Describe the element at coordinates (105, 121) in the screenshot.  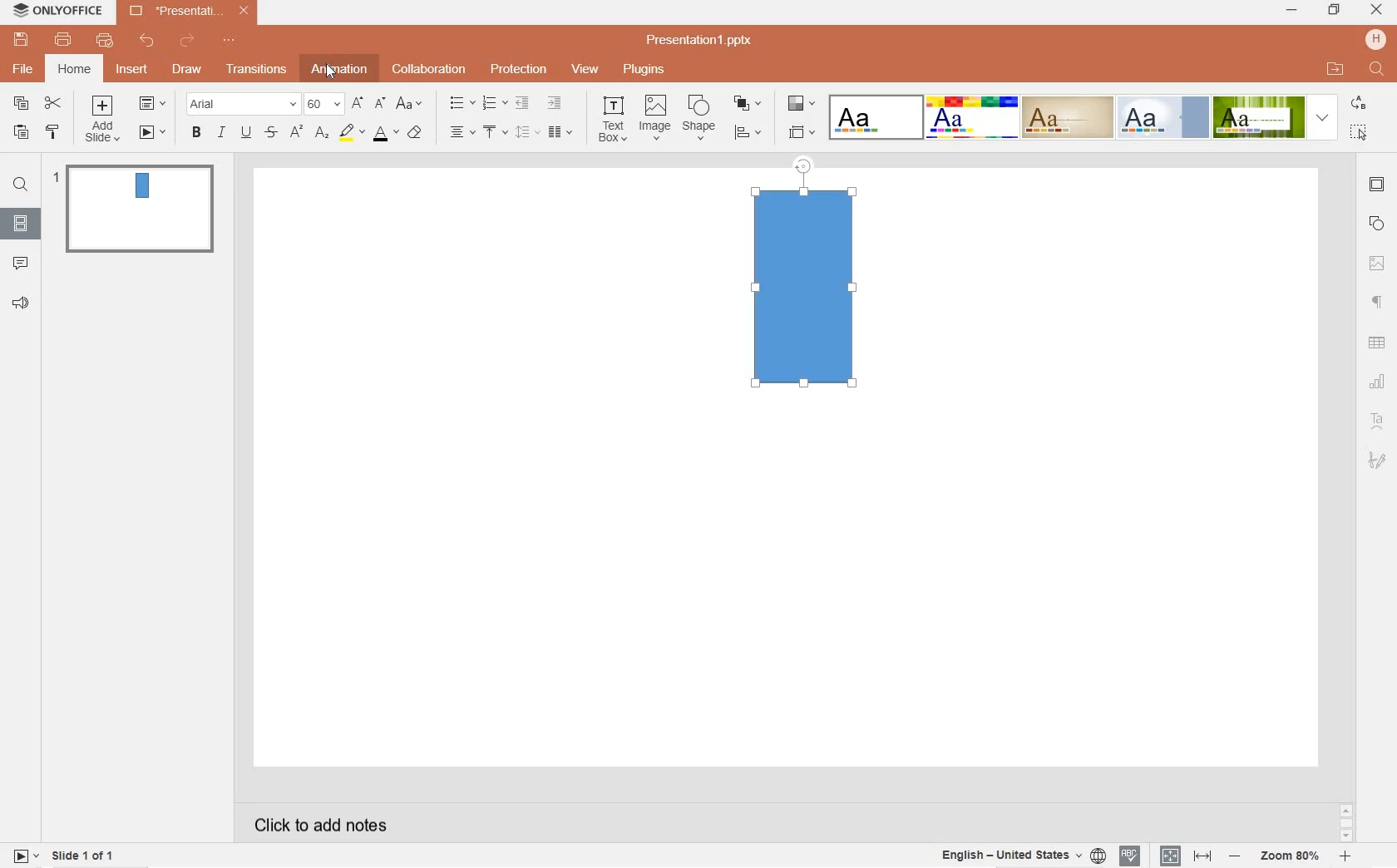
I see `add slide` at that location.